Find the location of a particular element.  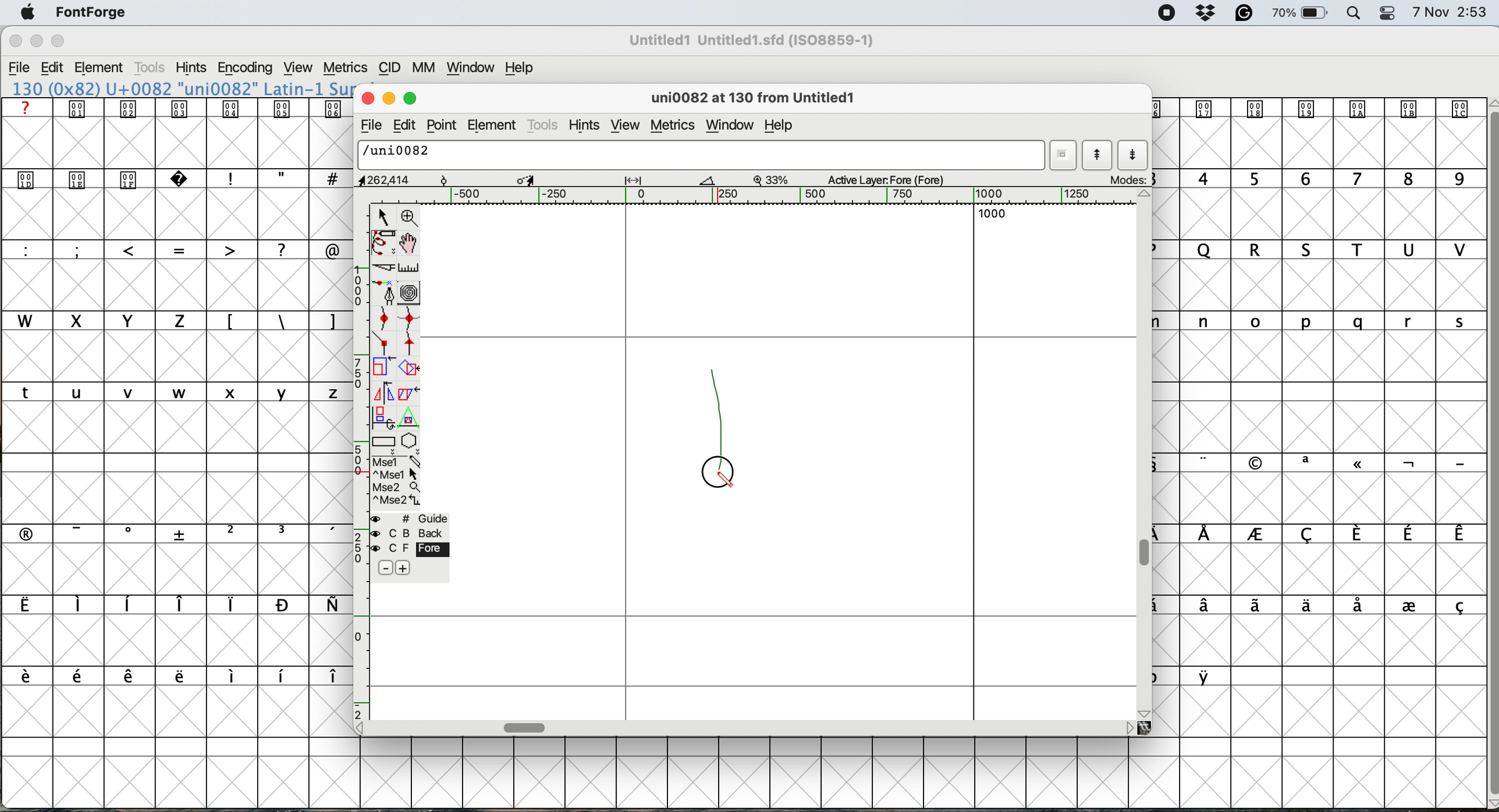

maximise is located at coordinates (57, 40).